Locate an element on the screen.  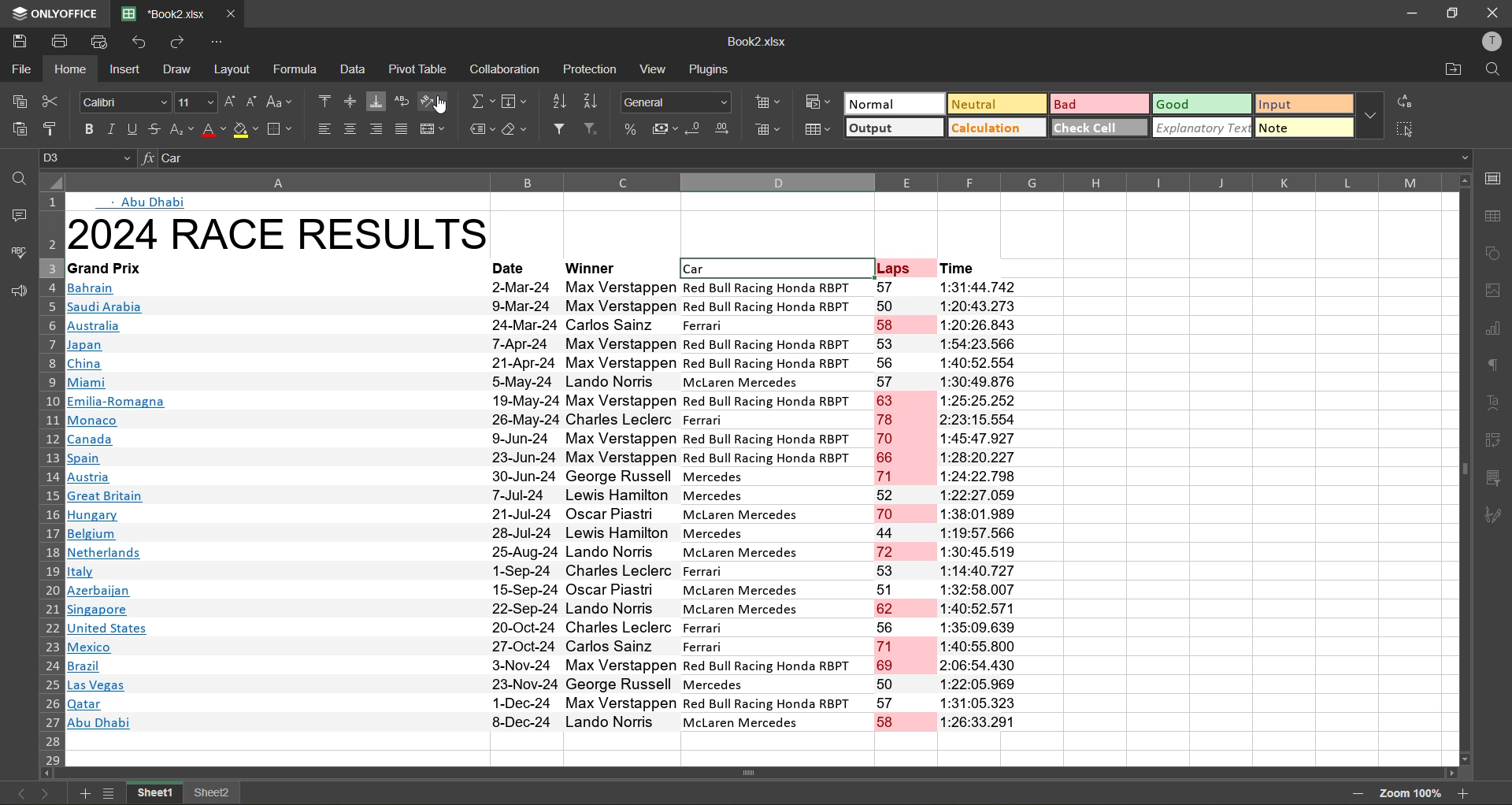
check cell is located at coordinates (1097, 129).